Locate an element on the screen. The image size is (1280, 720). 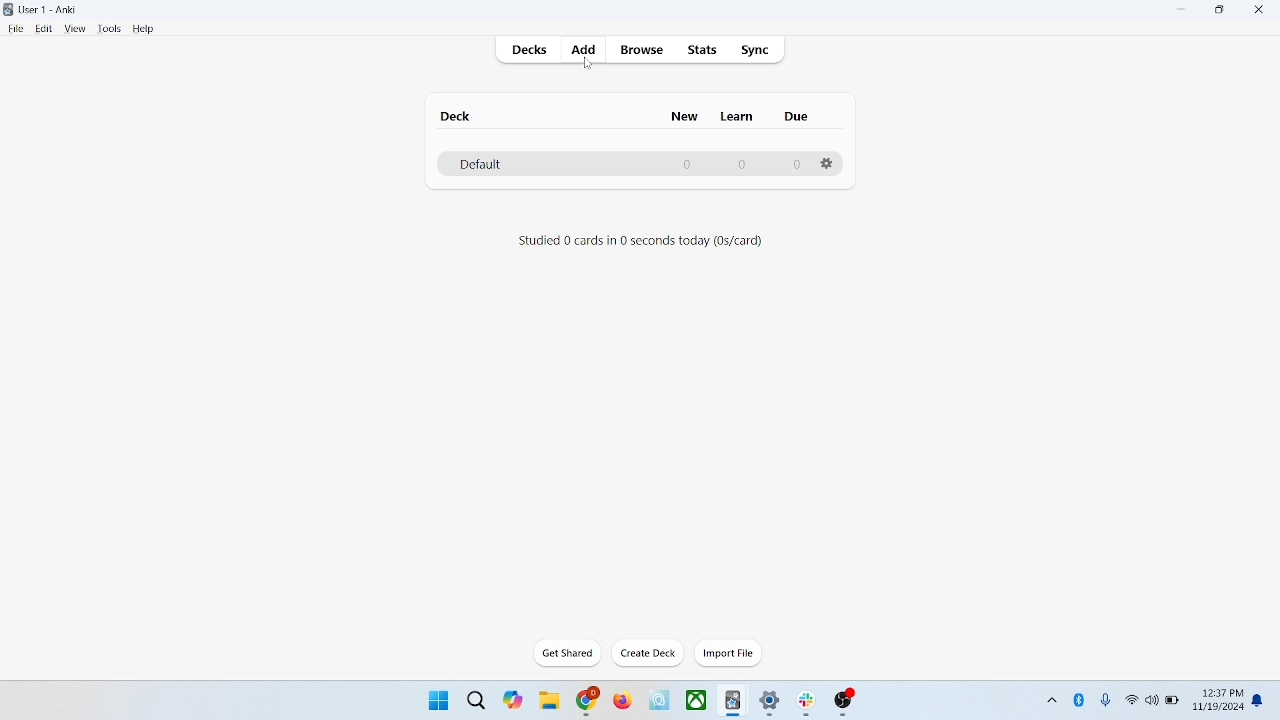
search is located at coordinates (477, 699).